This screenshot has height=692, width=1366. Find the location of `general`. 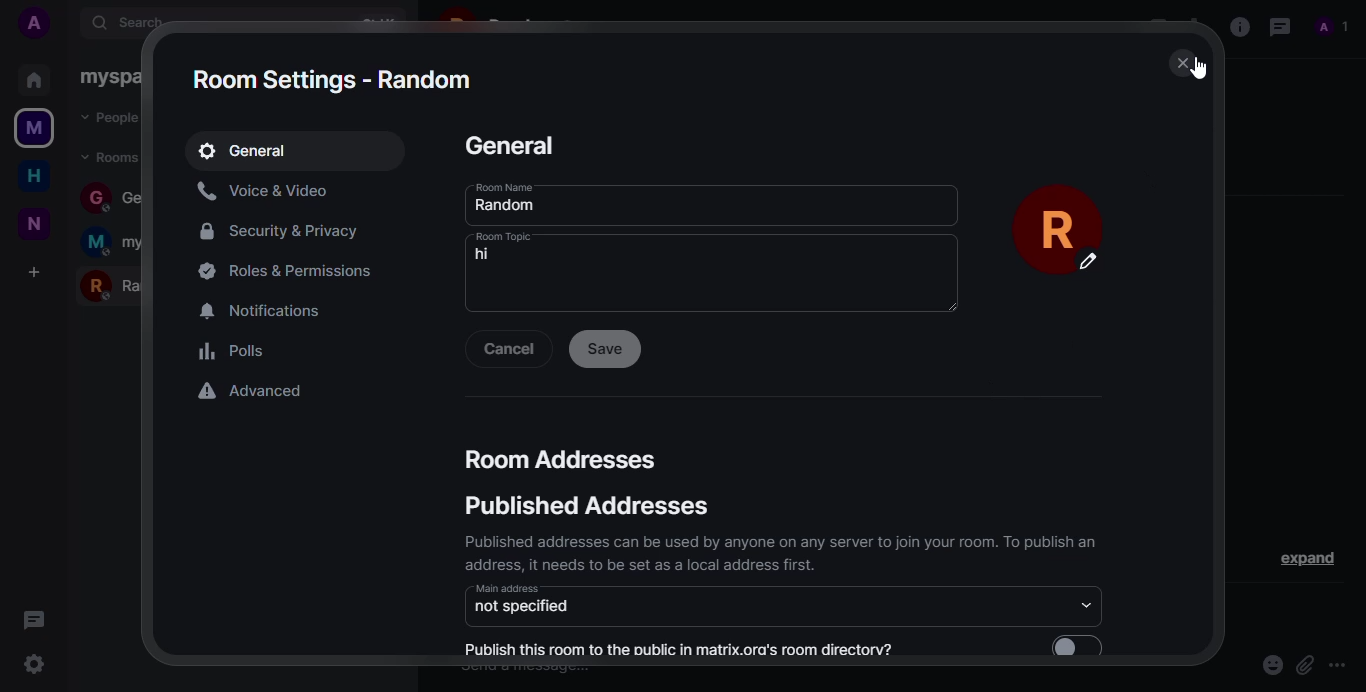

general is located at coordinates (512, 145).